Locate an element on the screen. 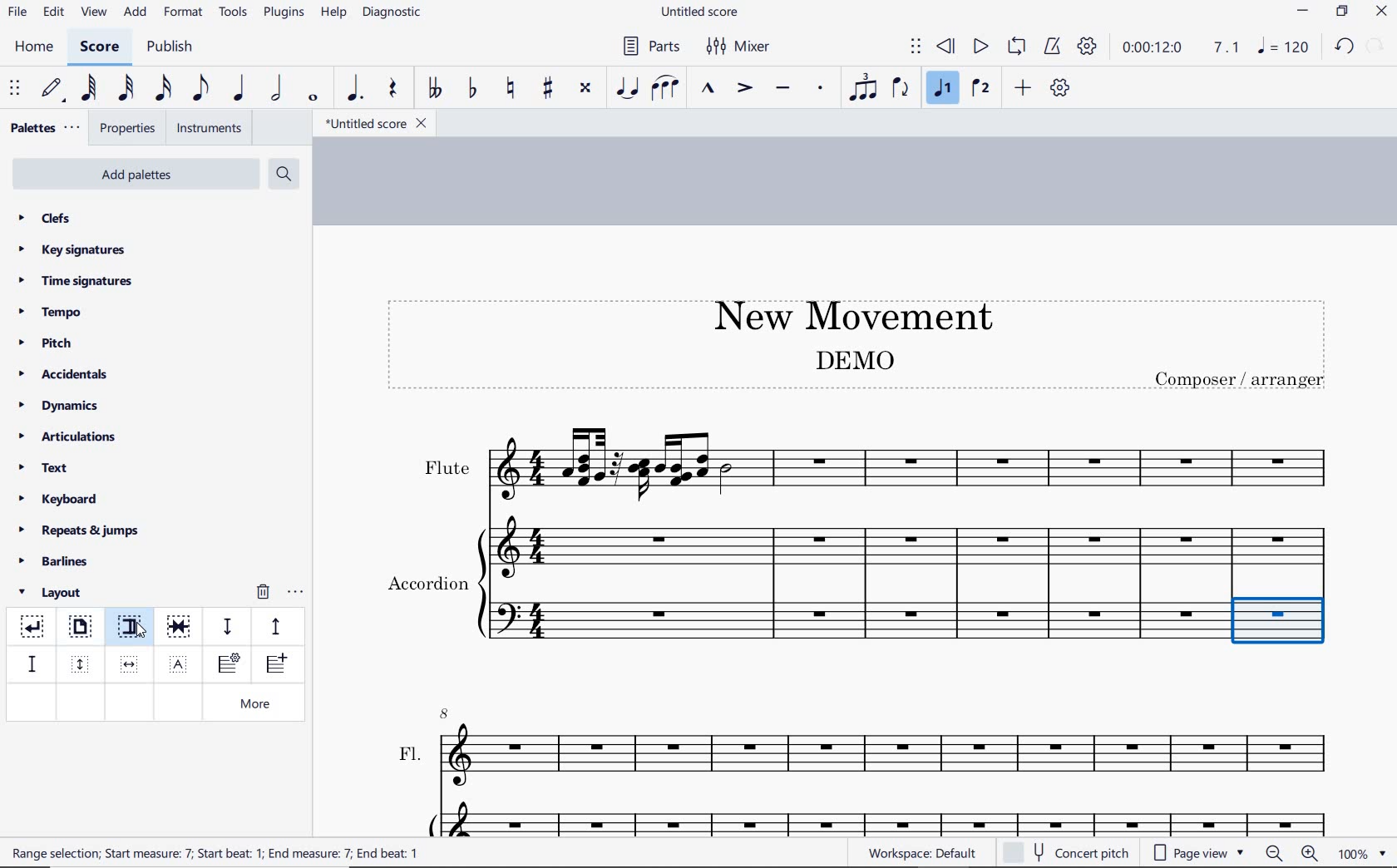 The image size is (1397, 868). voice 2 is located at coordinates (981, 89).